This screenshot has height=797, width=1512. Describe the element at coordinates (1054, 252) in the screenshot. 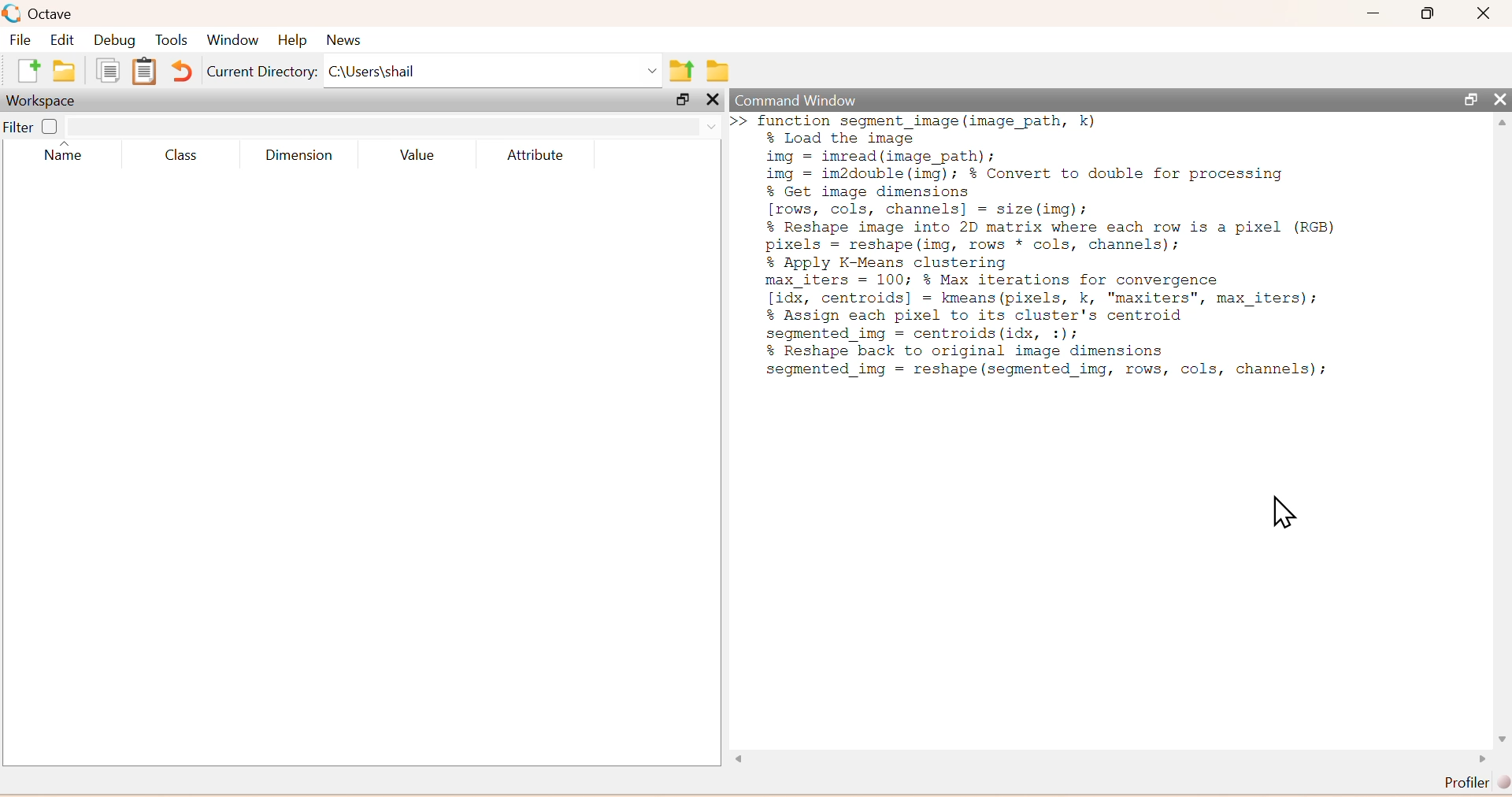

I see `function segment_image (image_path, k)% Load the imageimg = imread(image_path);img = im2double (img); % Convert to double for processing% Get image dimensions[rows, cols, channels] = size (img);% Reshape image into 2D matrix where each row is a pixel (RGB)pixels = reshape (img, rows * cols, channels);% Apply K-Means clusteringmax_iters = 100; % Max iterations for convergence[idx, centroids] = kmeans (pixels, k, "maxiters", max_iters);% Assign each pixel to its cluster's centroidsegmented_img = centroids (idx, :);% Reshape back to original image dimensionssegmented_img = reshape (segmented_img, rows, cols, channels);` at that location.